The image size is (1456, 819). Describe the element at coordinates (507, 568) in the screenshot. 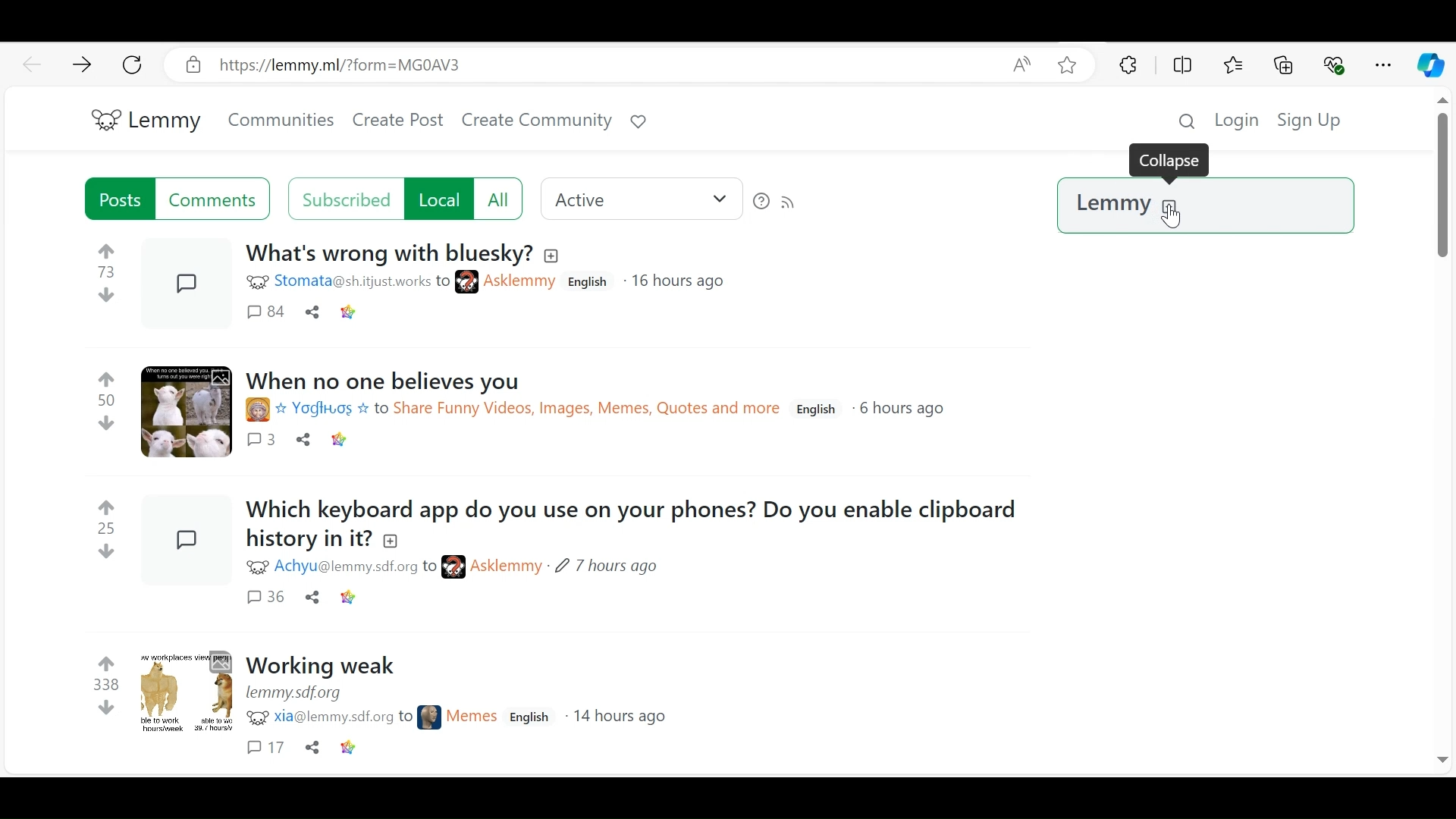

I see `Username` at that location.